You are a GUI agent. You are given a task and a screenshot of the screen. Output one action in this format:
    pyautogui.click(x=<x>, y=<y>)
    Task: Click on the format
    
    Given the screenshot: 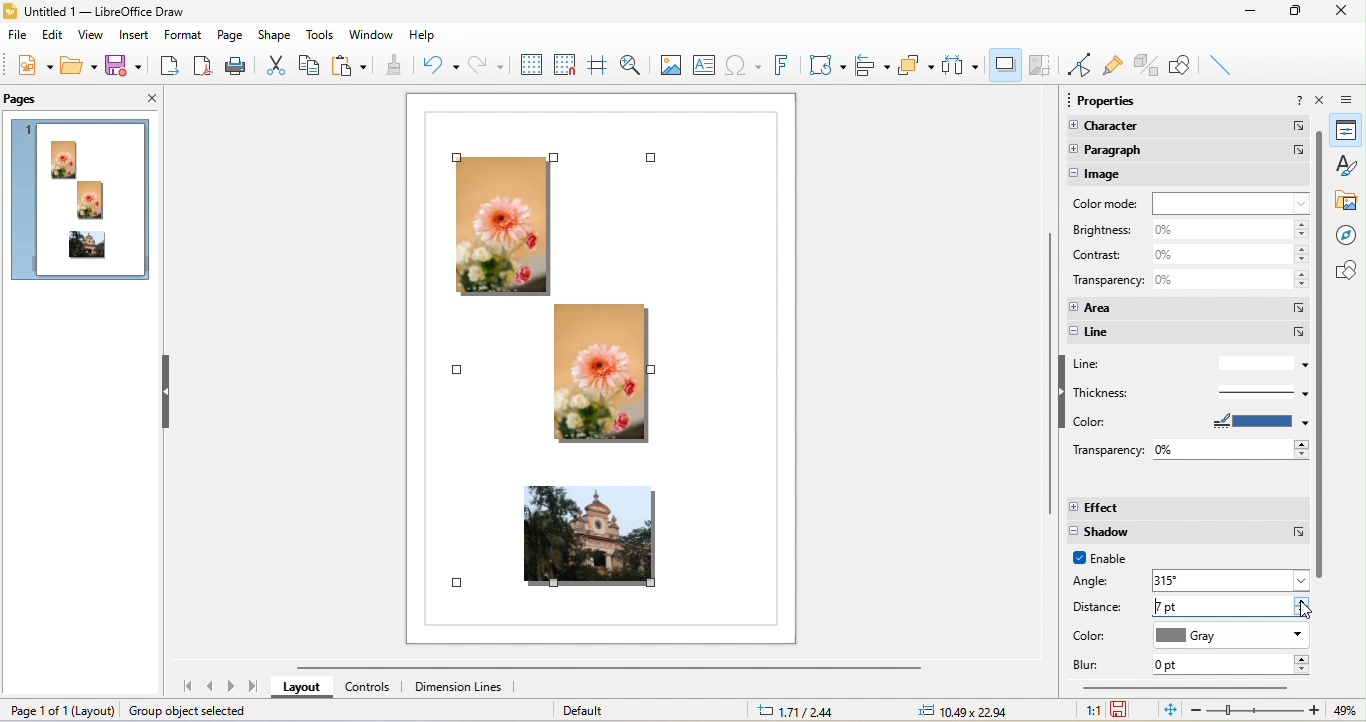 What is the action you would take?
    pyautogui.click(x=182, y=34)
    